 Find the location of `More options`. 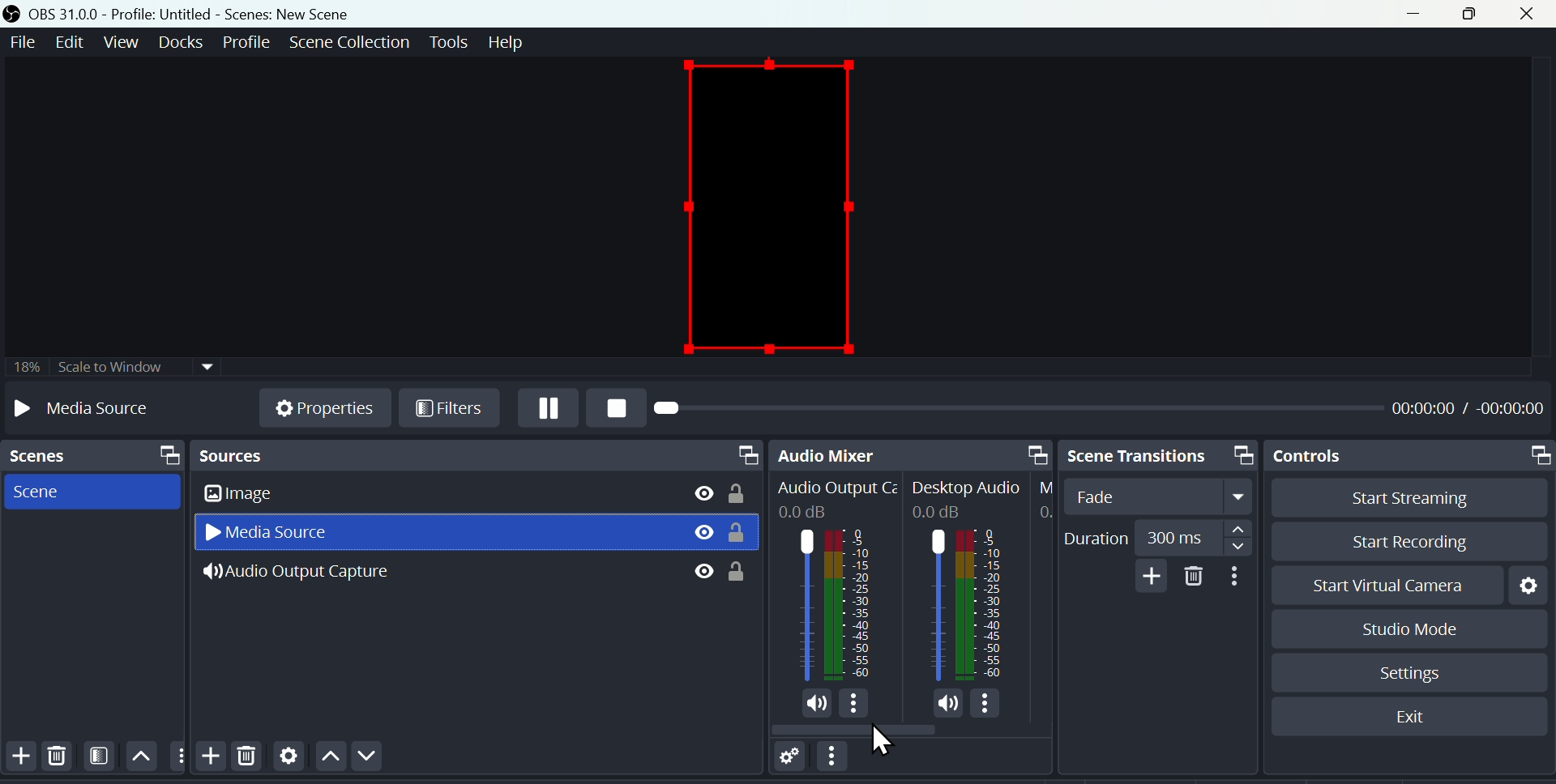

More options is located at coordinates (837, 761).